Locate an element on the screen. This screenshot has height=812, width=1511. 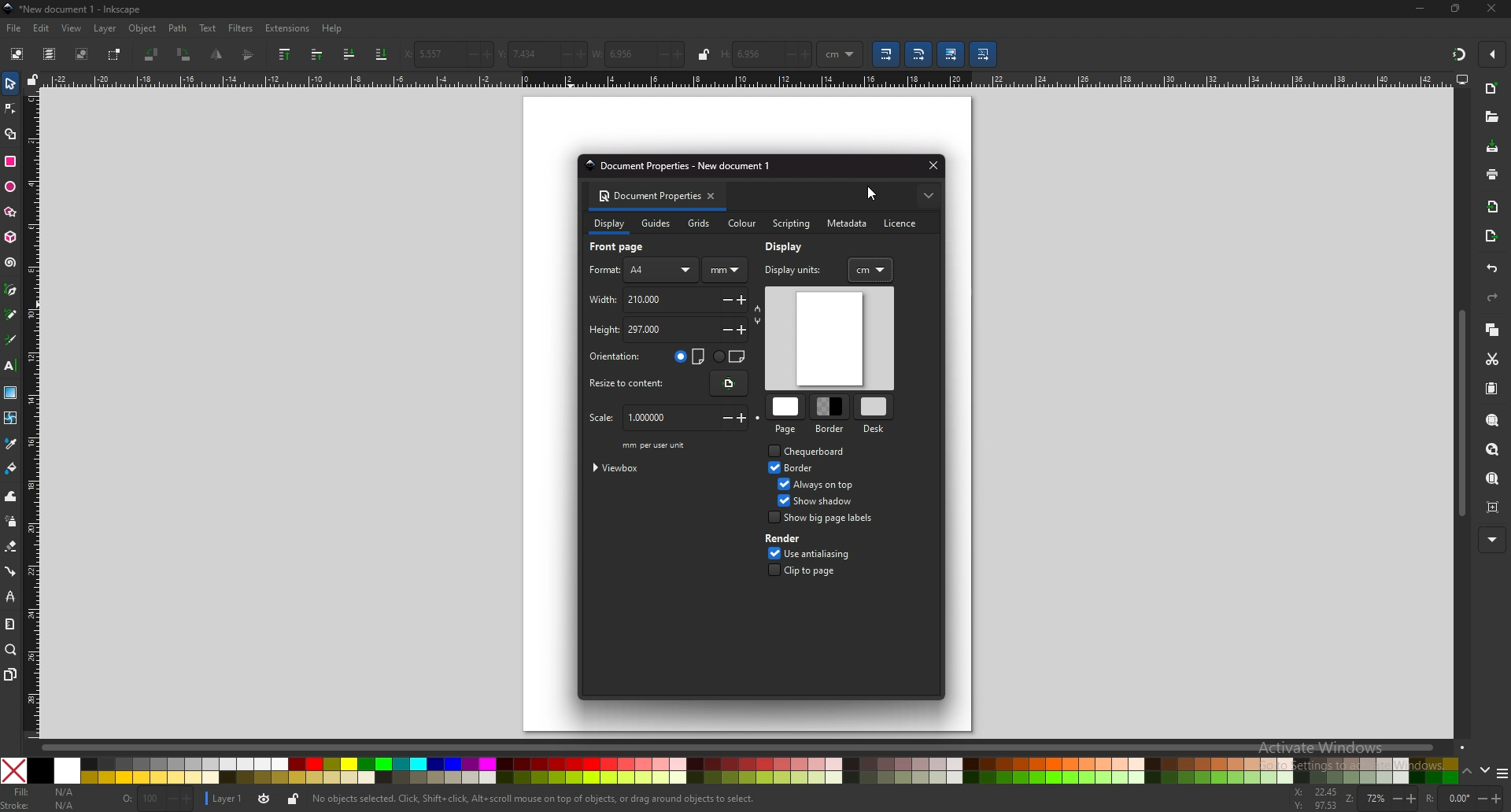
path is located at coordinates (176, 29).